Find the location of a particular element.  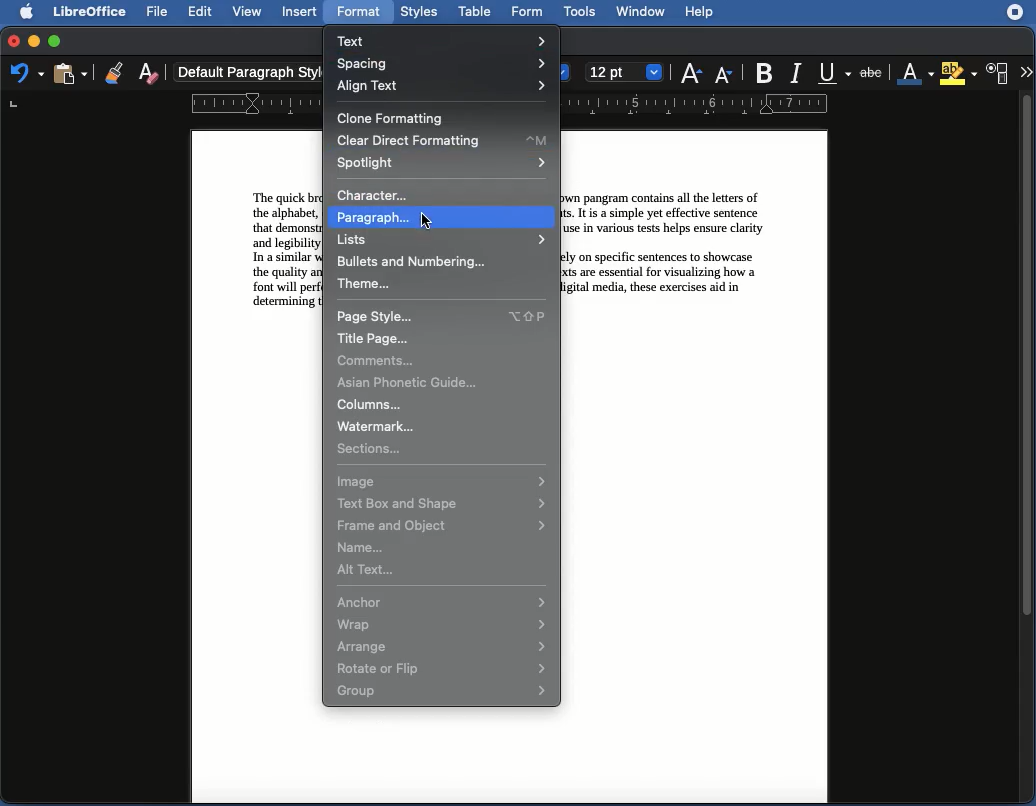

Lists is located at coordinates (443, 240).